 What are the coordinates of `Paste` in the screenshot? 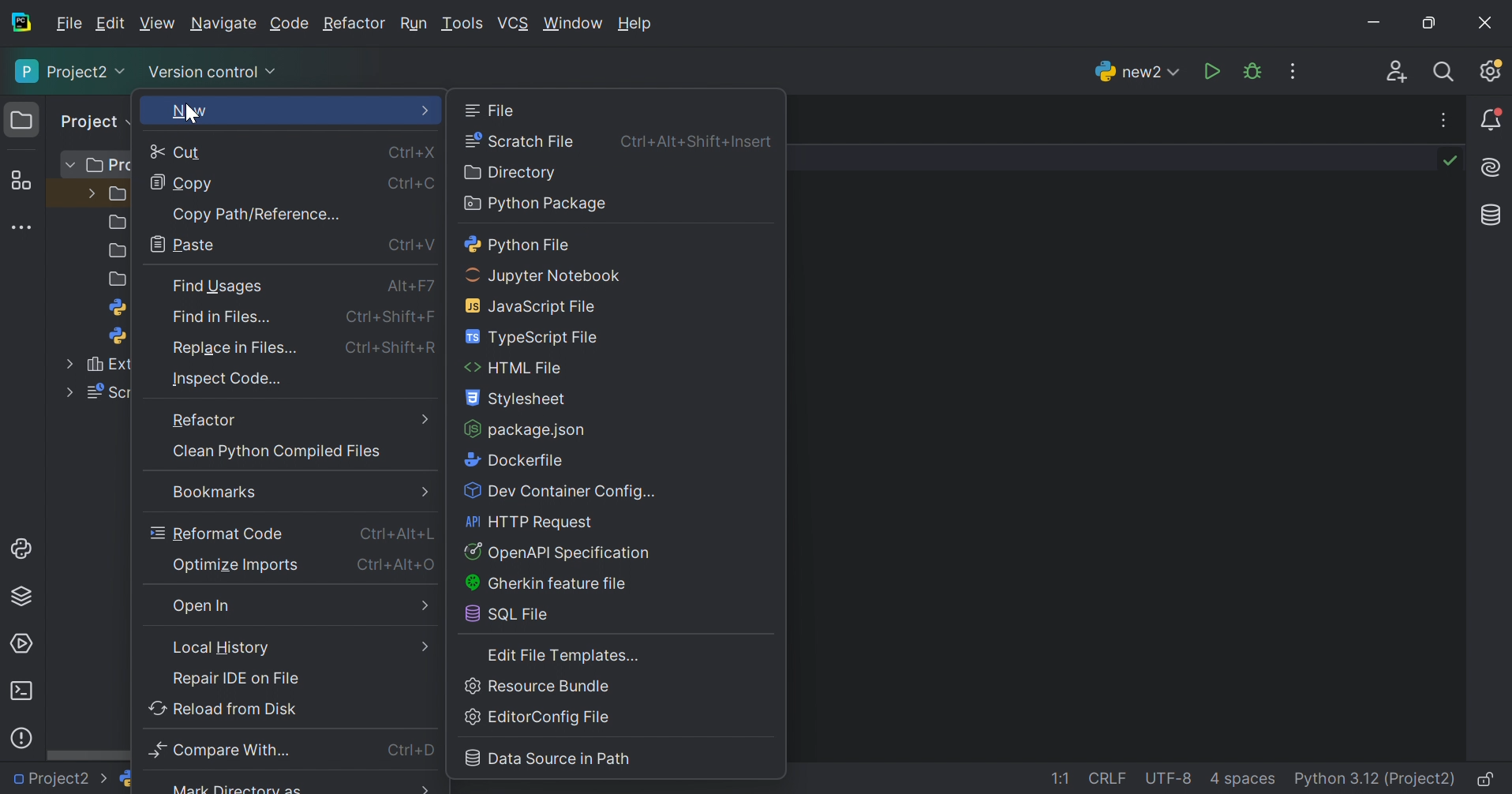 It's located at (187, 243).